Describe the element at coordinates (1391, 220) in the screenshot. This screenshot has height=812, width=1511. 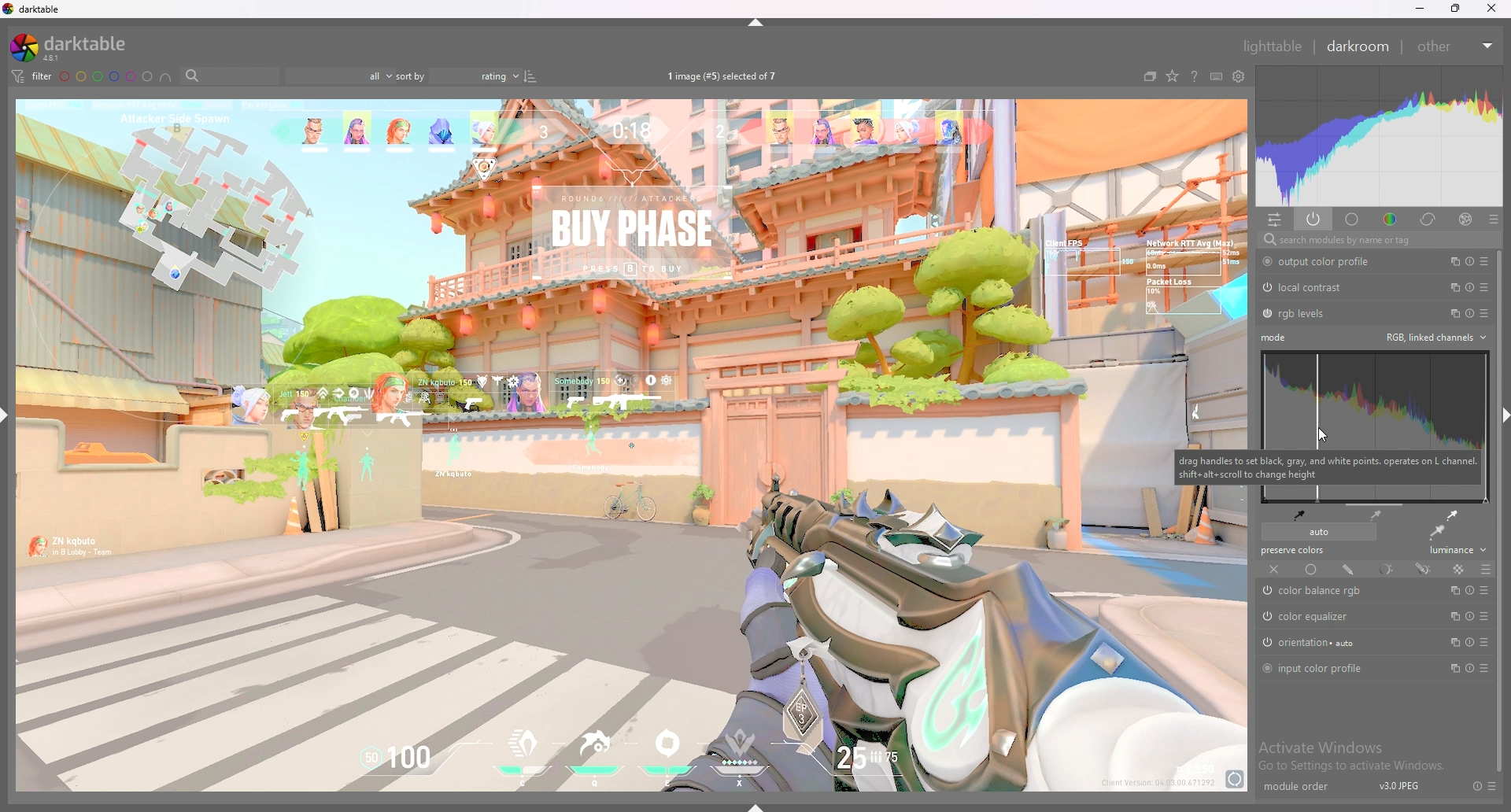
I see `color` at that location.